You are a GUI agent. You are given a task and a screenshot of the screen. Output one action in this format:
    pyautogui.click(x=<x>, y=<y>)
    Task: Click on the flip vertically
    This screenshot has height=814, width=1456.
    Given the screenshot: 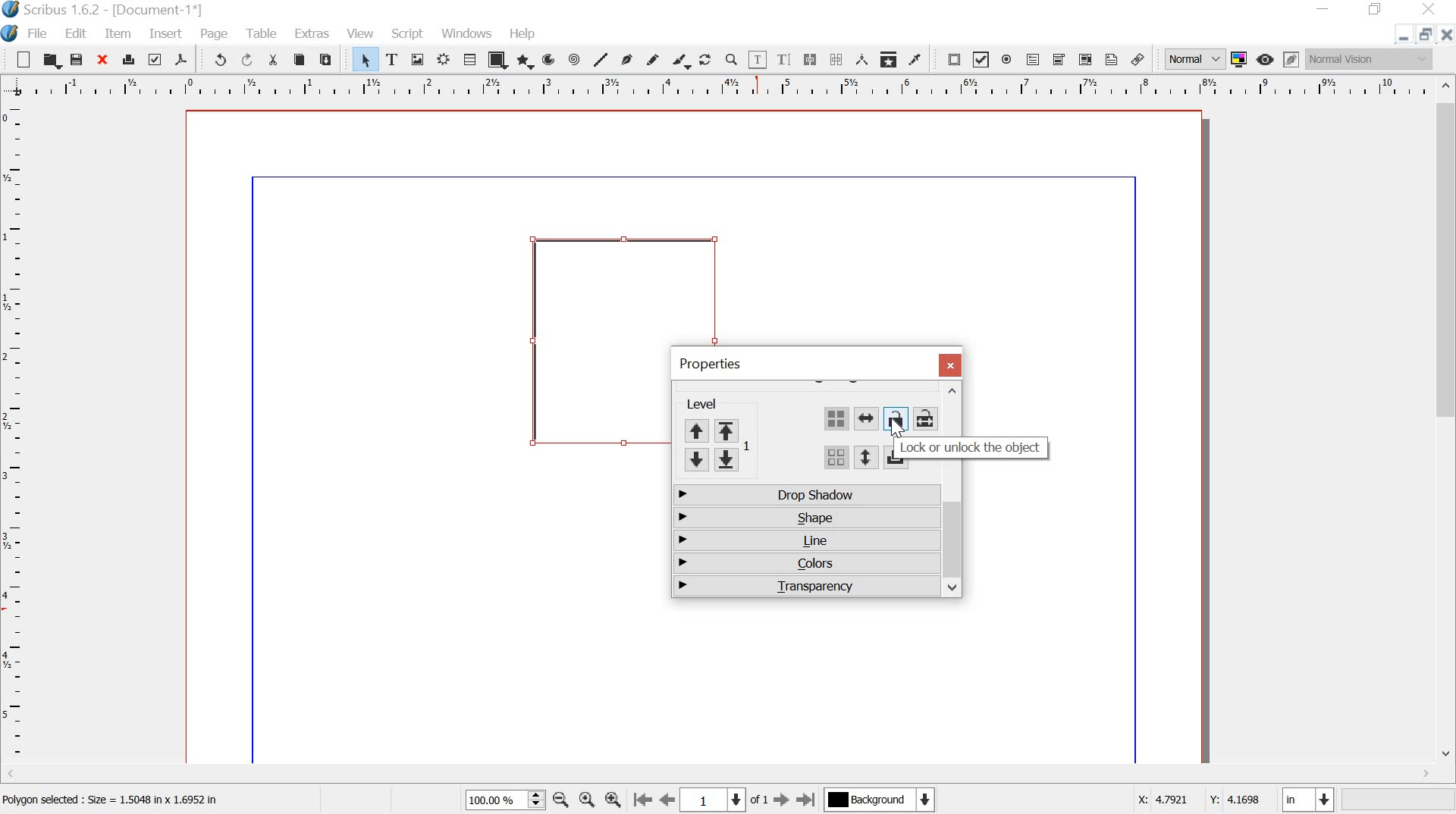 What is the action you would take?
    pyautogui.click(x=864, y=458)
    